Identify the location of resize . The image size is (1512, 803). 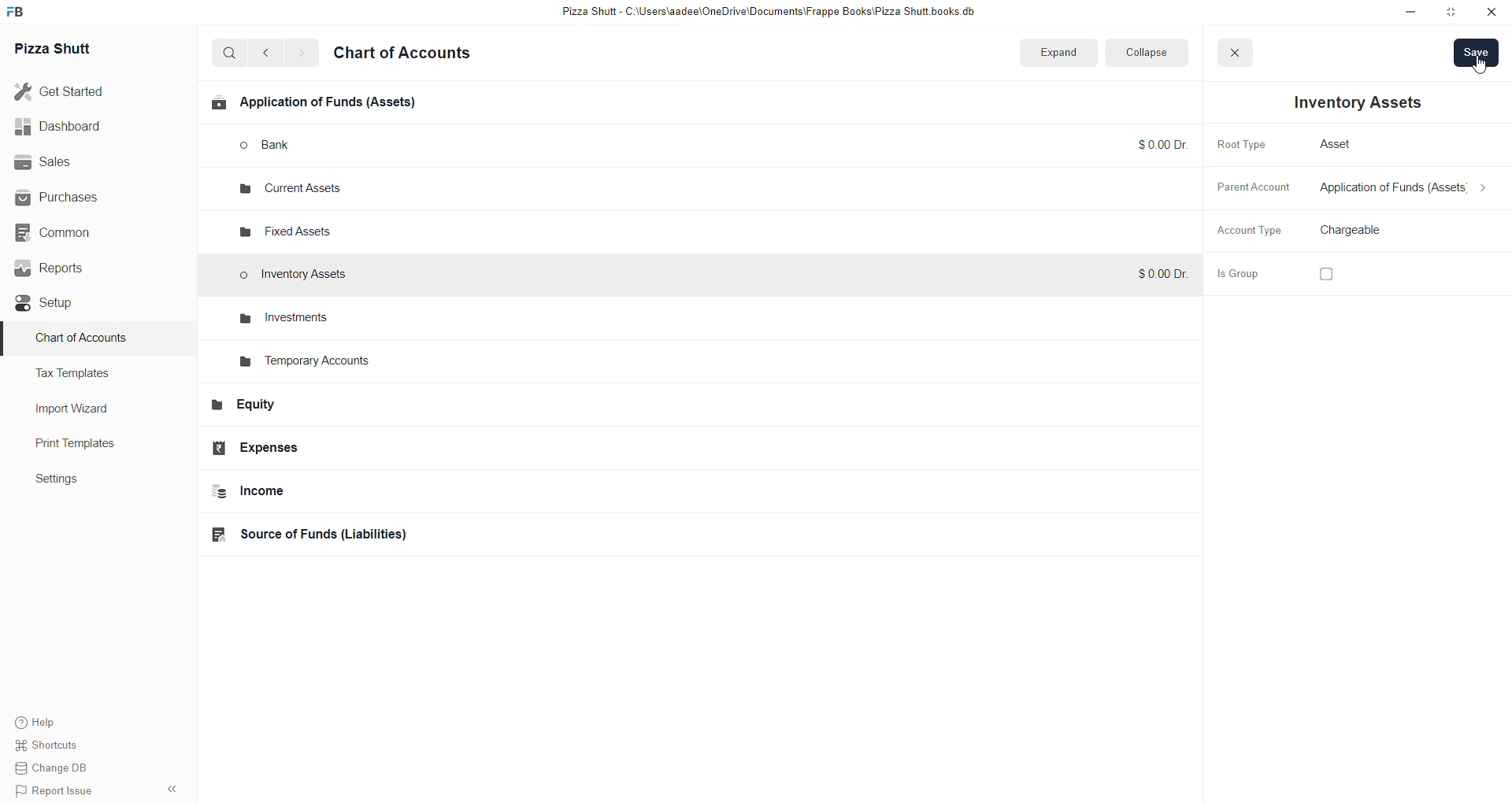
(1451, 13).